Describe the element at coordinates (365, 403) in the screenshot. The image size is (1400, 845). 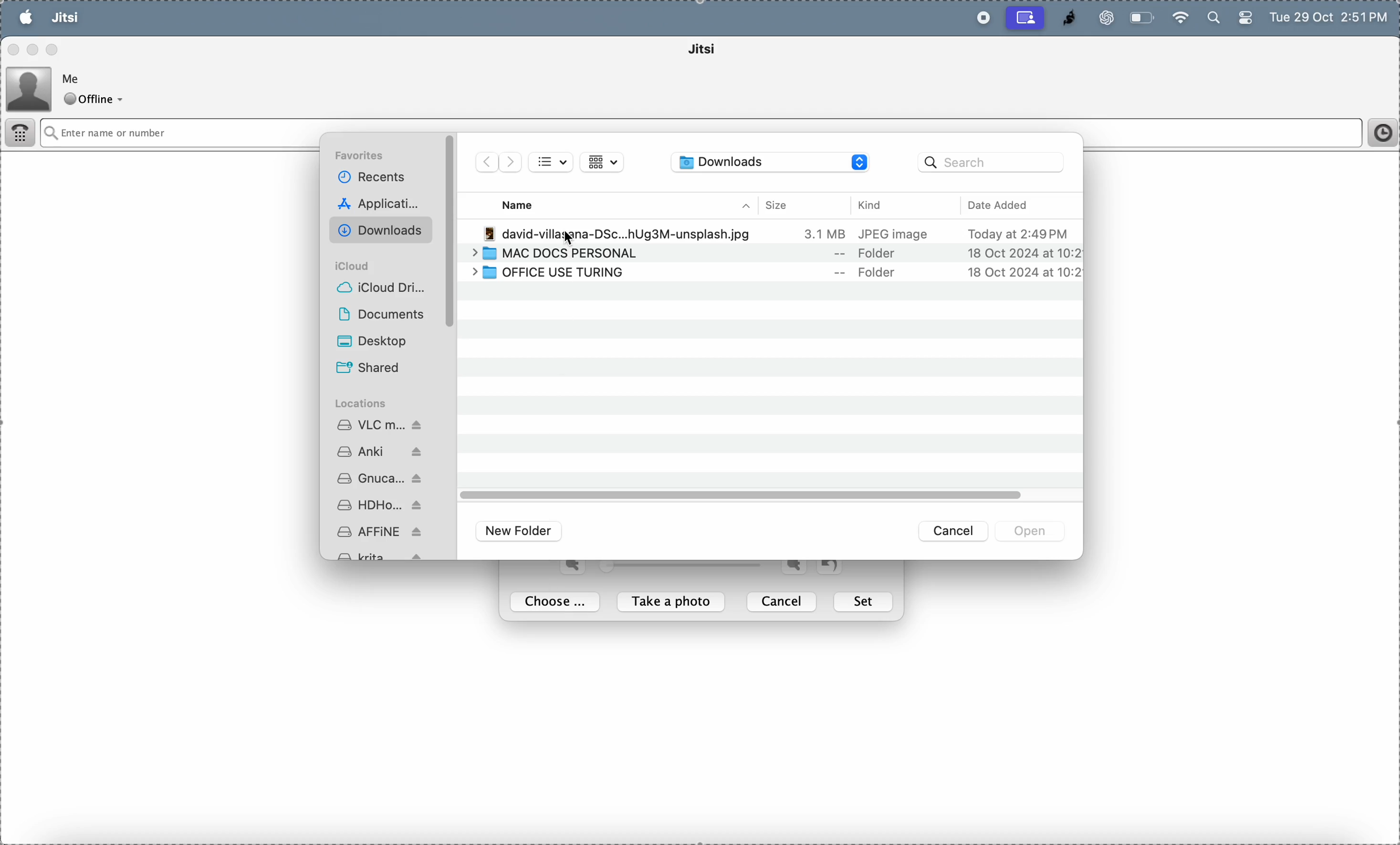
I see `locations` at that location.